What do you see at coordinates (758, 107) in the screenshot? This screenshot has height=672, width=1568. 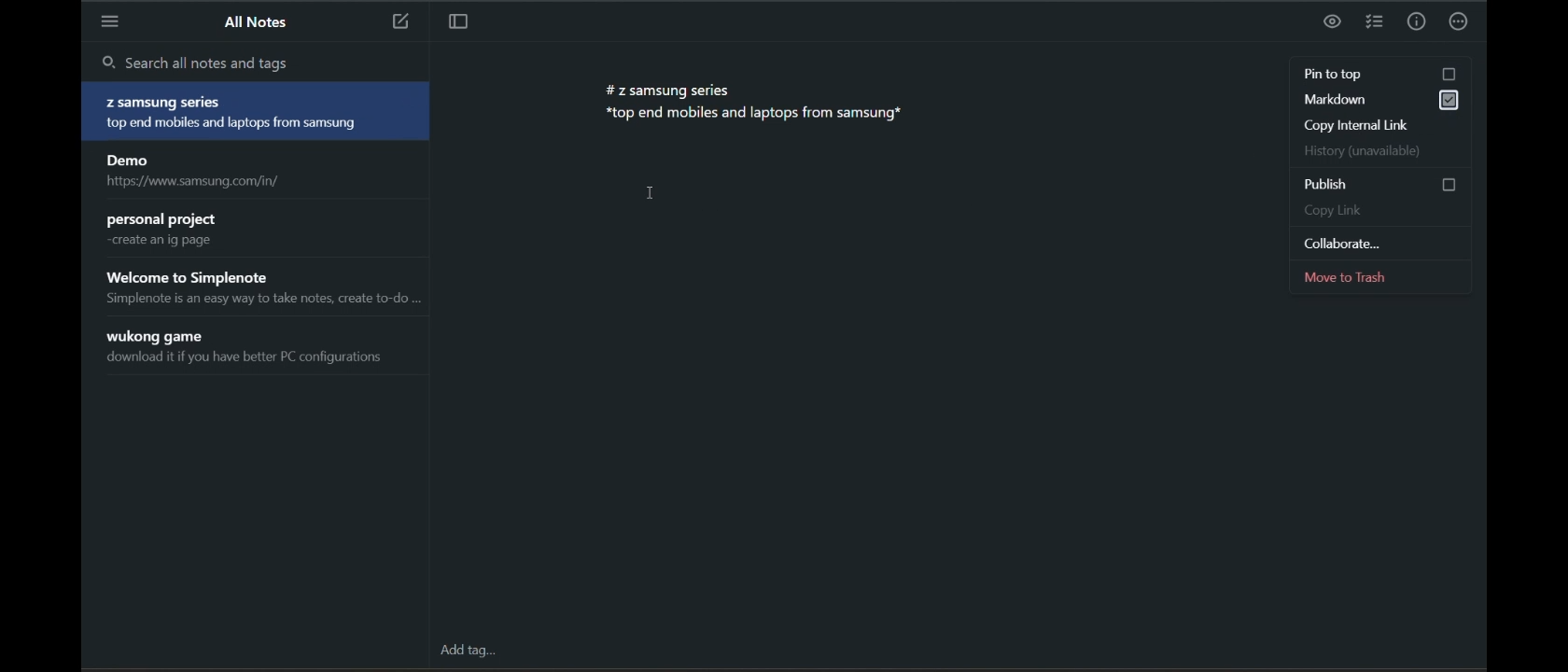 I see `#z samsung series *top end mobiles and laptops from samsung*` at bounding box center [758, 107].